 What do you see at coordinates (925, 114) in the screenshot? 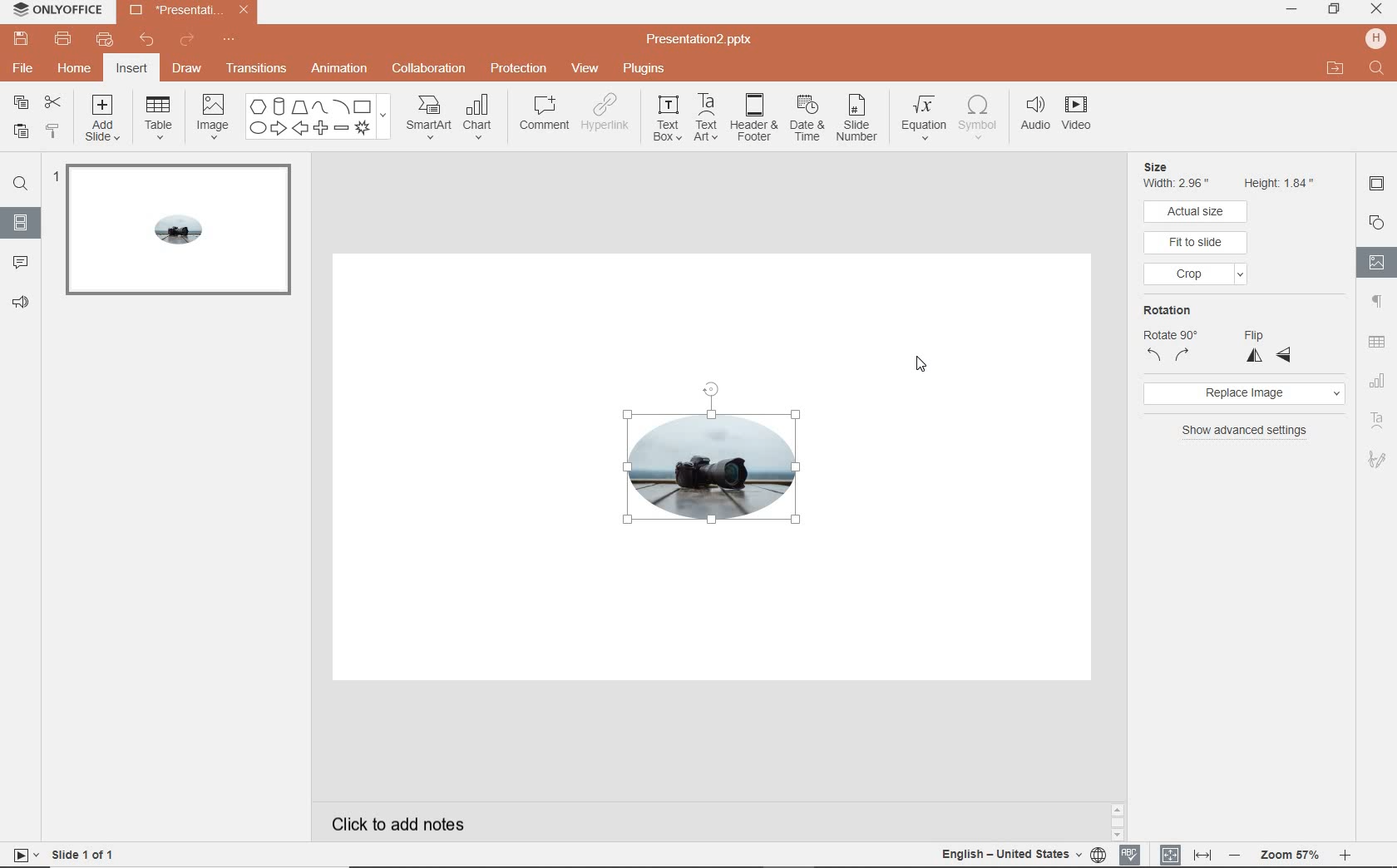
I see `equation` at bounding box center [925, 114].